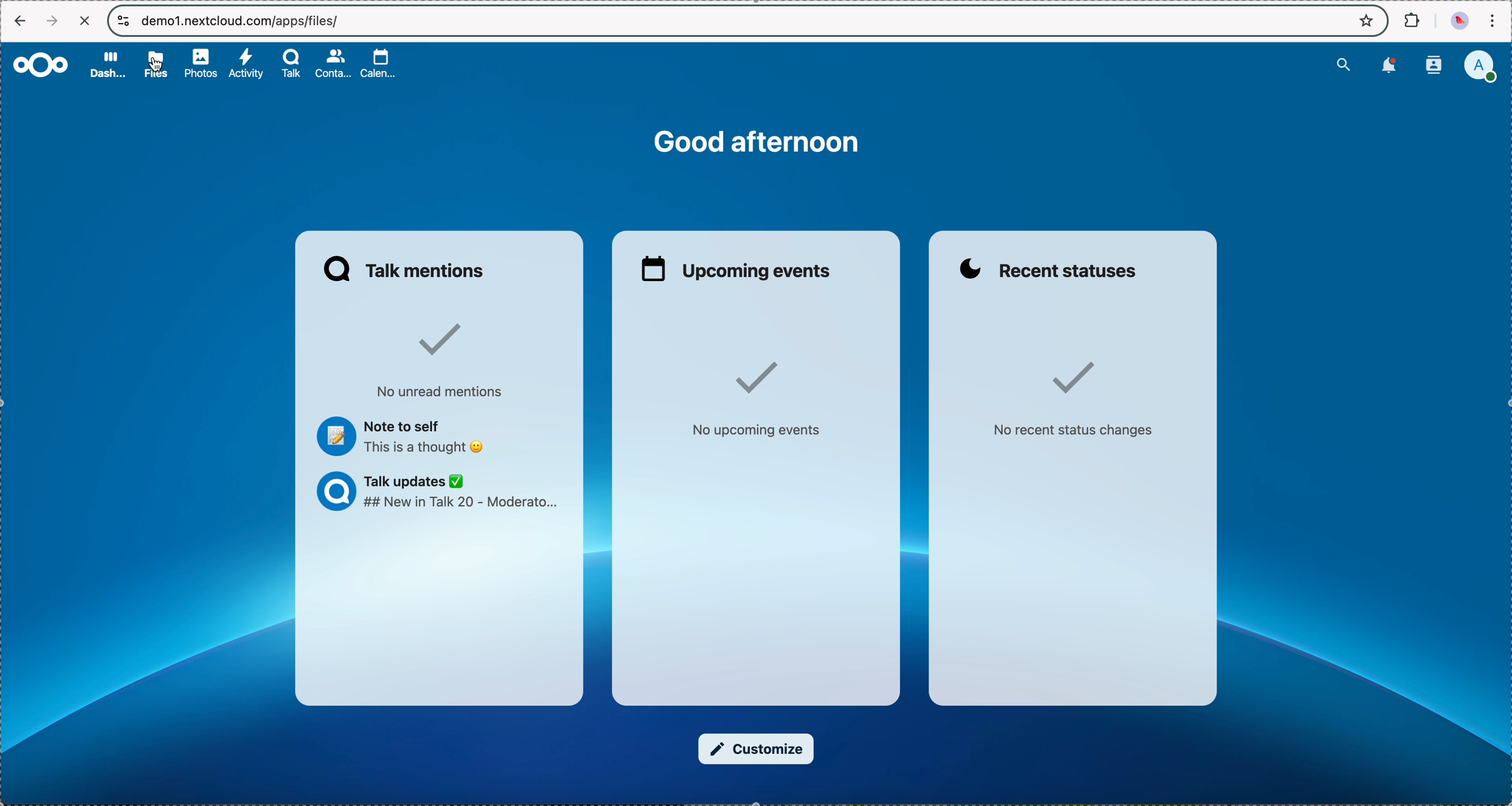  Describe the element at coordinates (124, 21) in the screenshot. I see `controls` at that location.